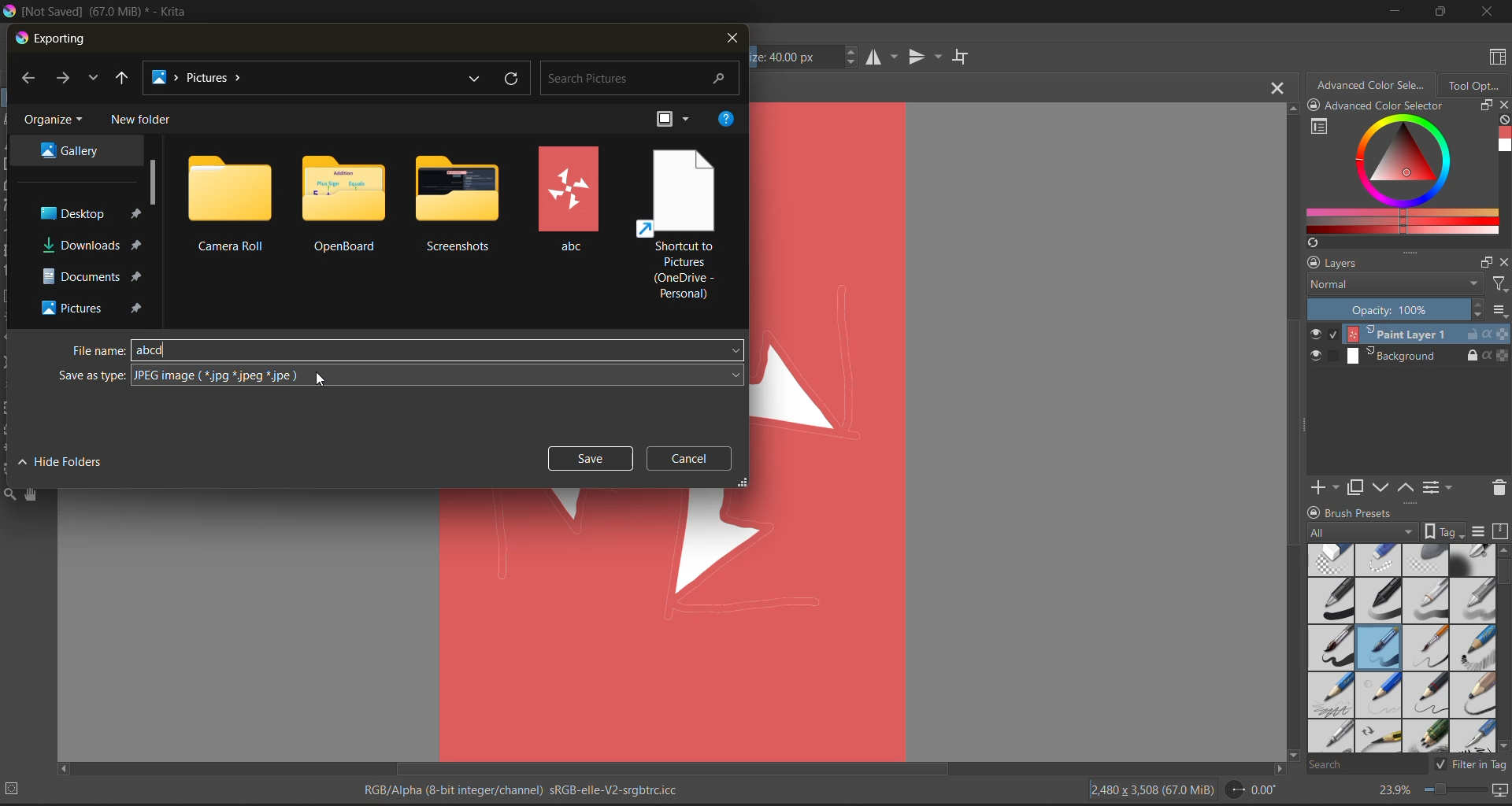 This screenshot has height=806, width=1512. I want to click on Brush presets, so click(1384, 513).